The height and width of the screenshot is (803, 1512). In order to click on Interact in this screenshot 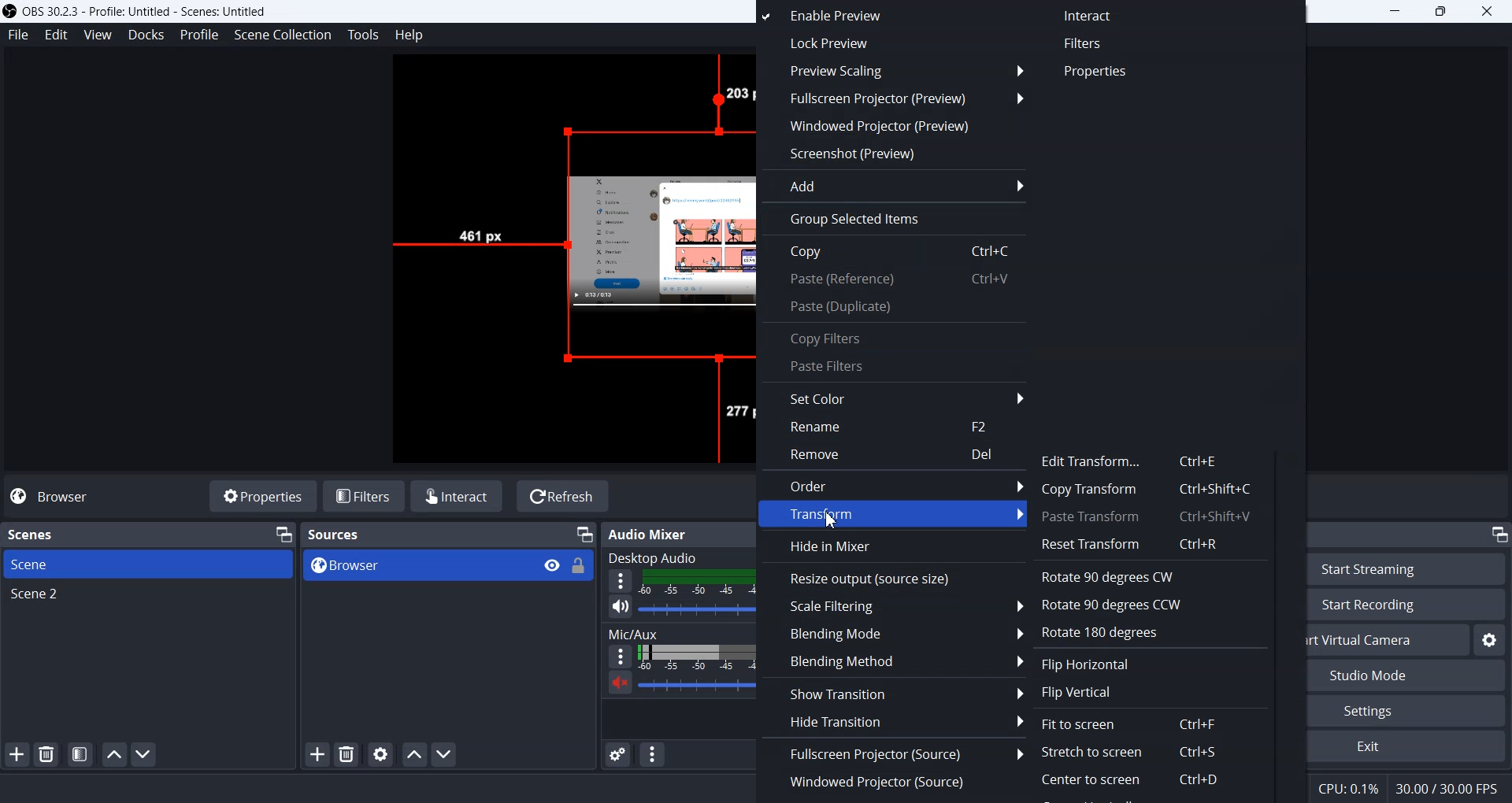, I will do `click(458, 495)`.